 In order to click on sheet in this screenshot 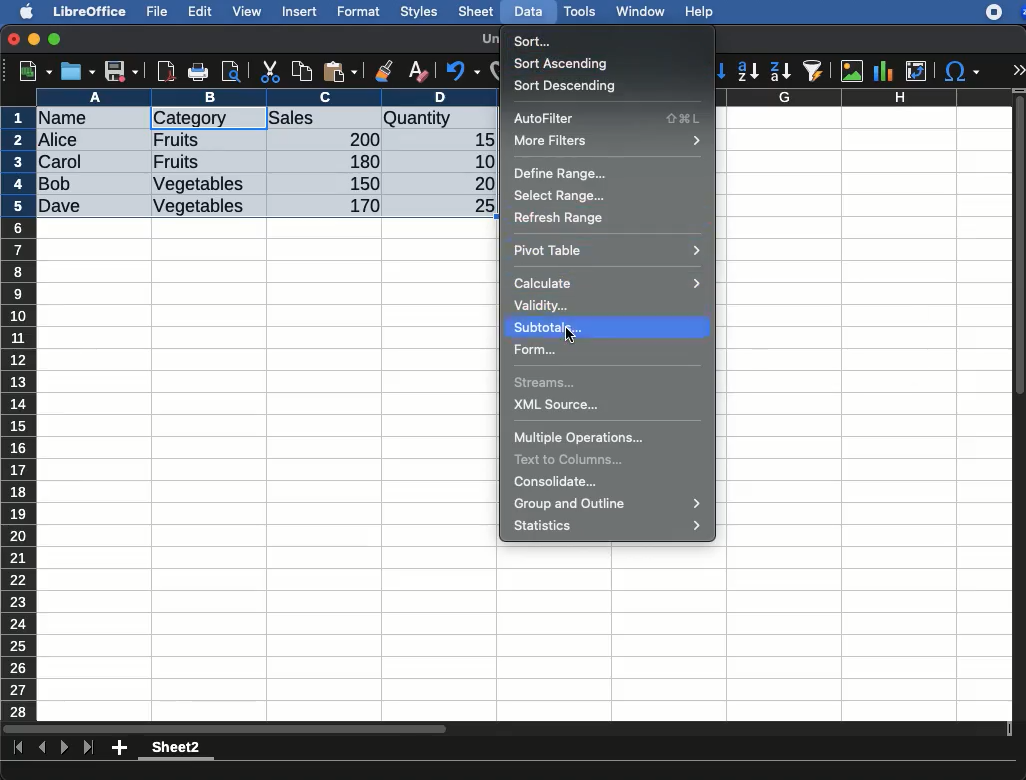, I will do `click(477, 11)`.